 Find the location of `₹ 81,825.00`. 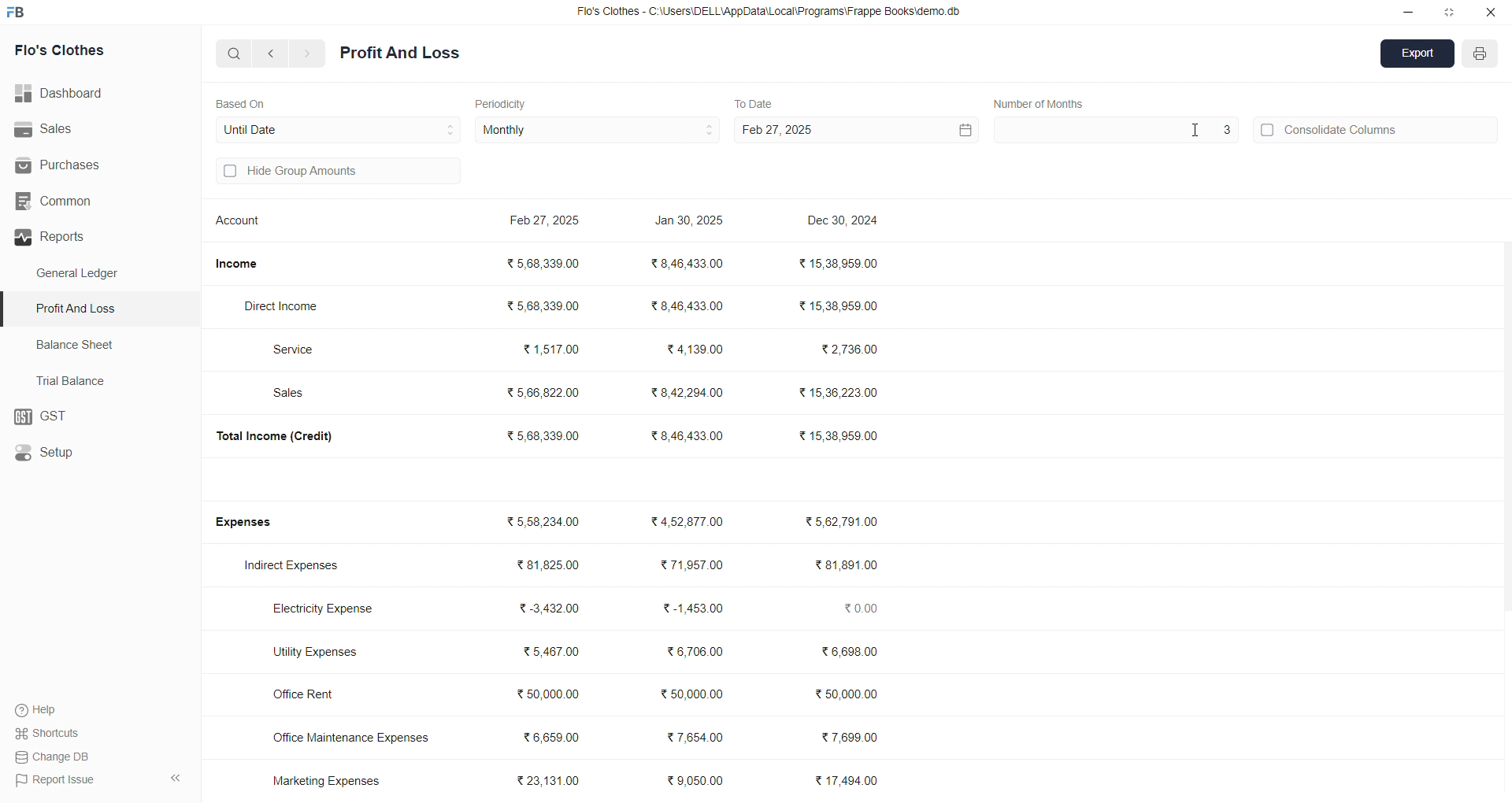

₹ 81,825.00 is located at coordinates (548, 565).